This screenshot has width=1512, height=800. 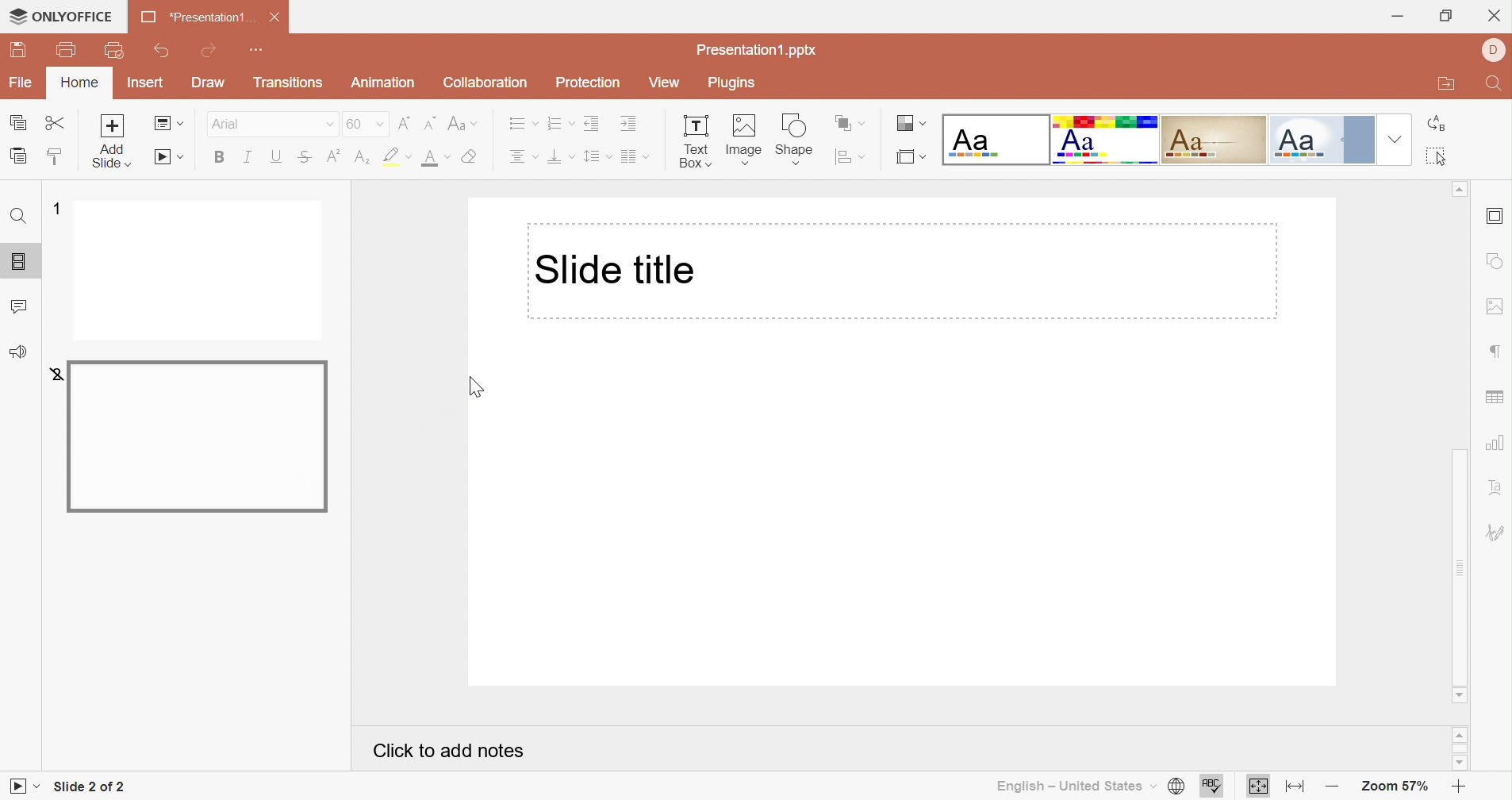 What do you see at coordinates (198, 17) in the screenshot?
I see `*Presentation1...` at bounding box center [198, 17].